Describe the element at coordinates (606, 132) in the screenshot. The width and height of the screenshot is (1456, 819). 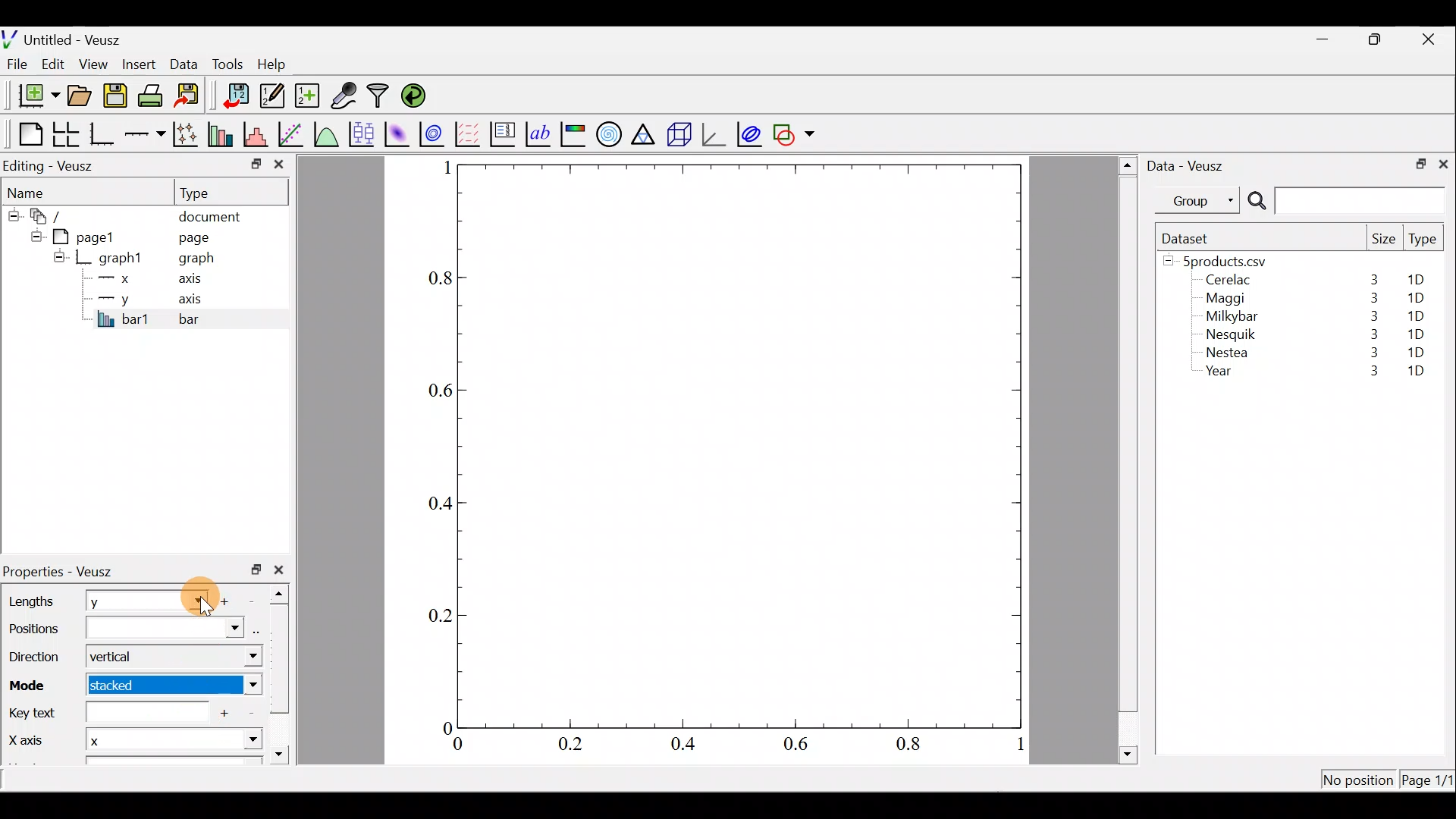
I see `Polar graph` at that location.